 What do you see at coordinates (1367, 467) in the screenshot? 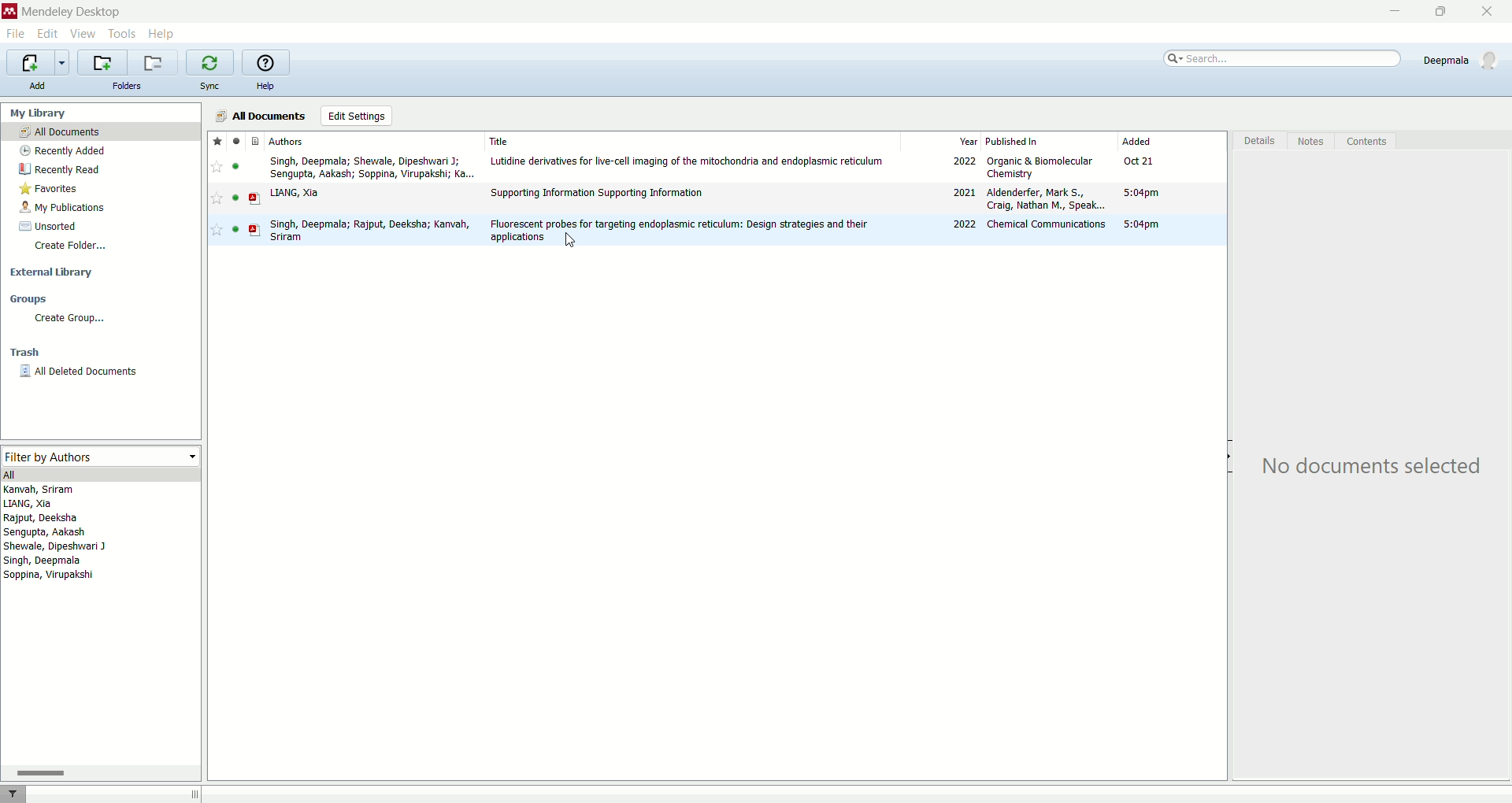
I see `text` at bounding box center [1367, 467].